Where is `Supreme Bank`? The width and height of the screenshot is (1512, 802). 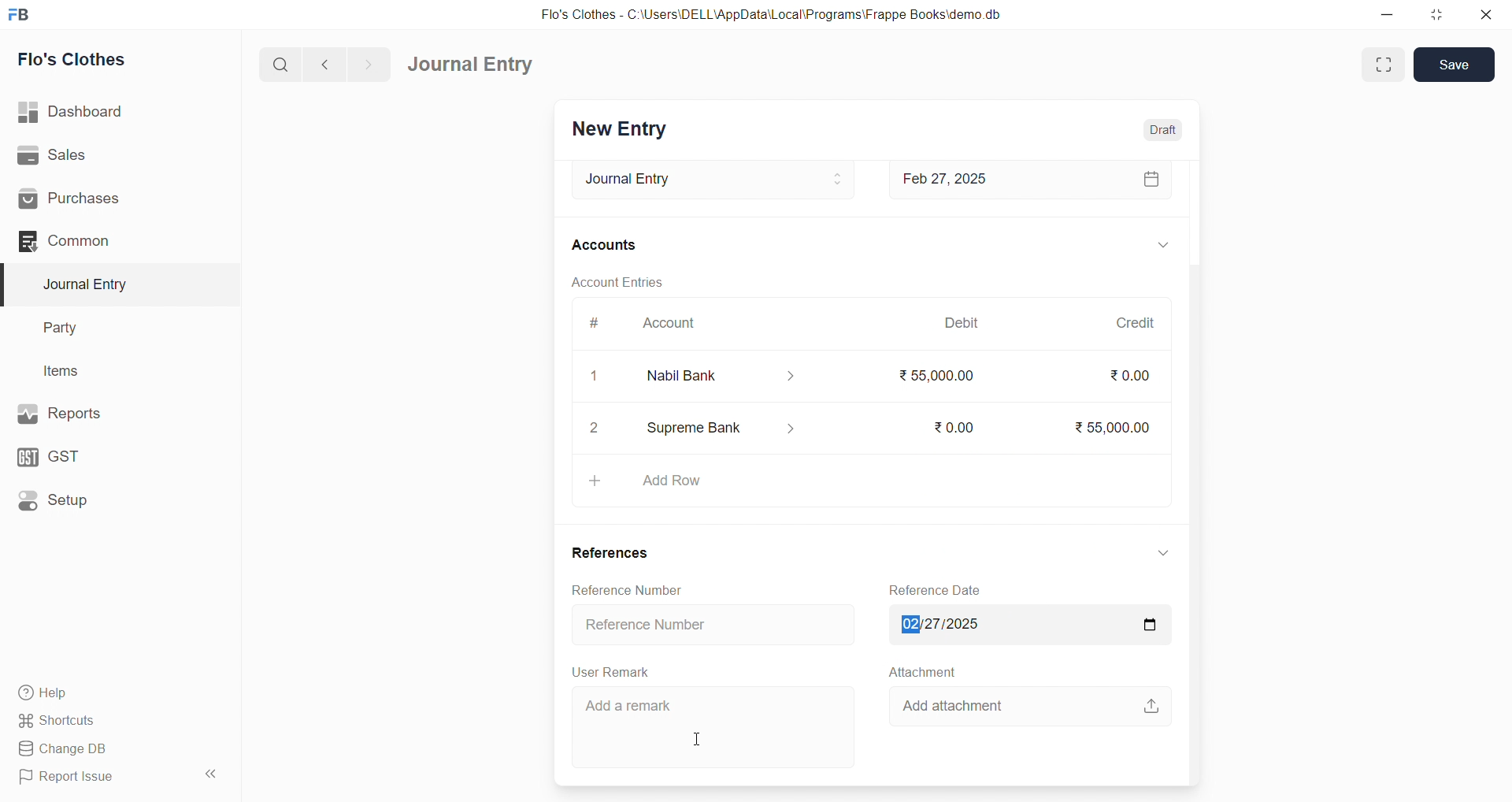
Supreme Bank is located at coordinates (726, 425).